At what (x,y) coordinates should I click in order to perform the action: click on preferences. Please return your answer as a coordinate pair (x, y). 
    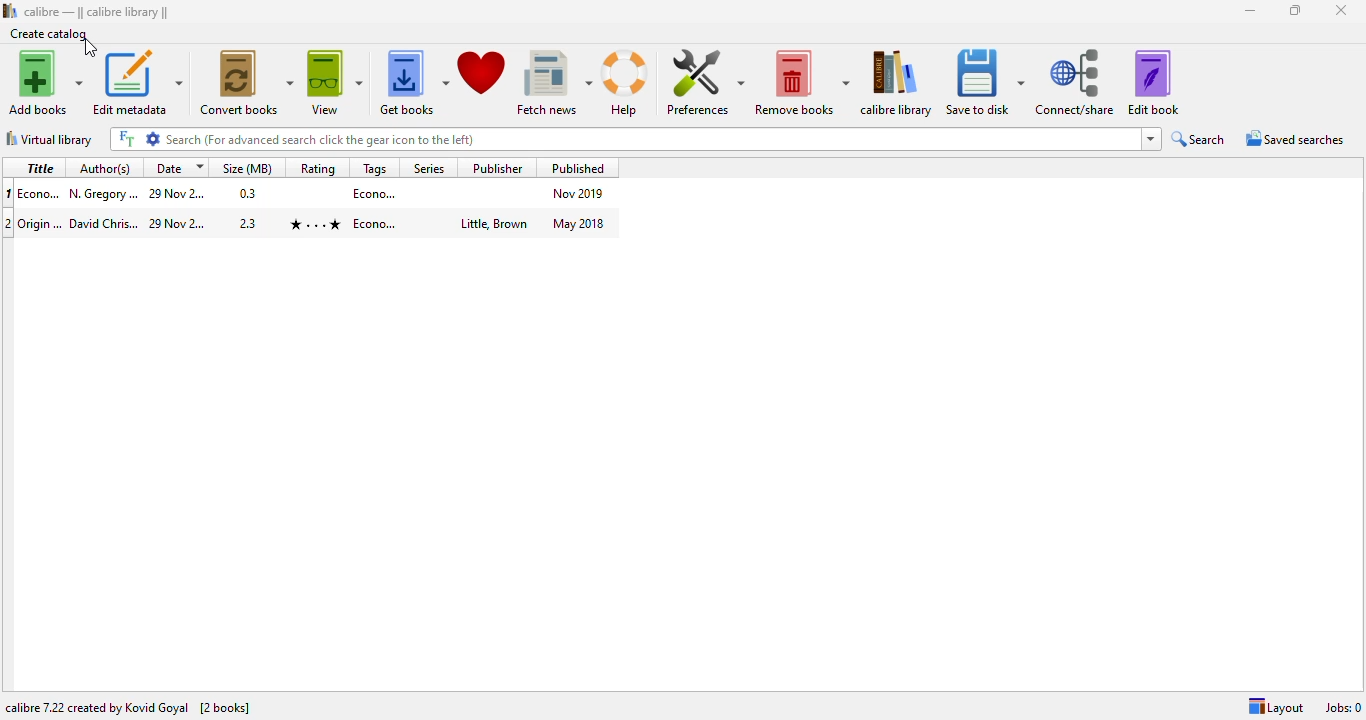
    Looking at the image, I should click on (704, 81).